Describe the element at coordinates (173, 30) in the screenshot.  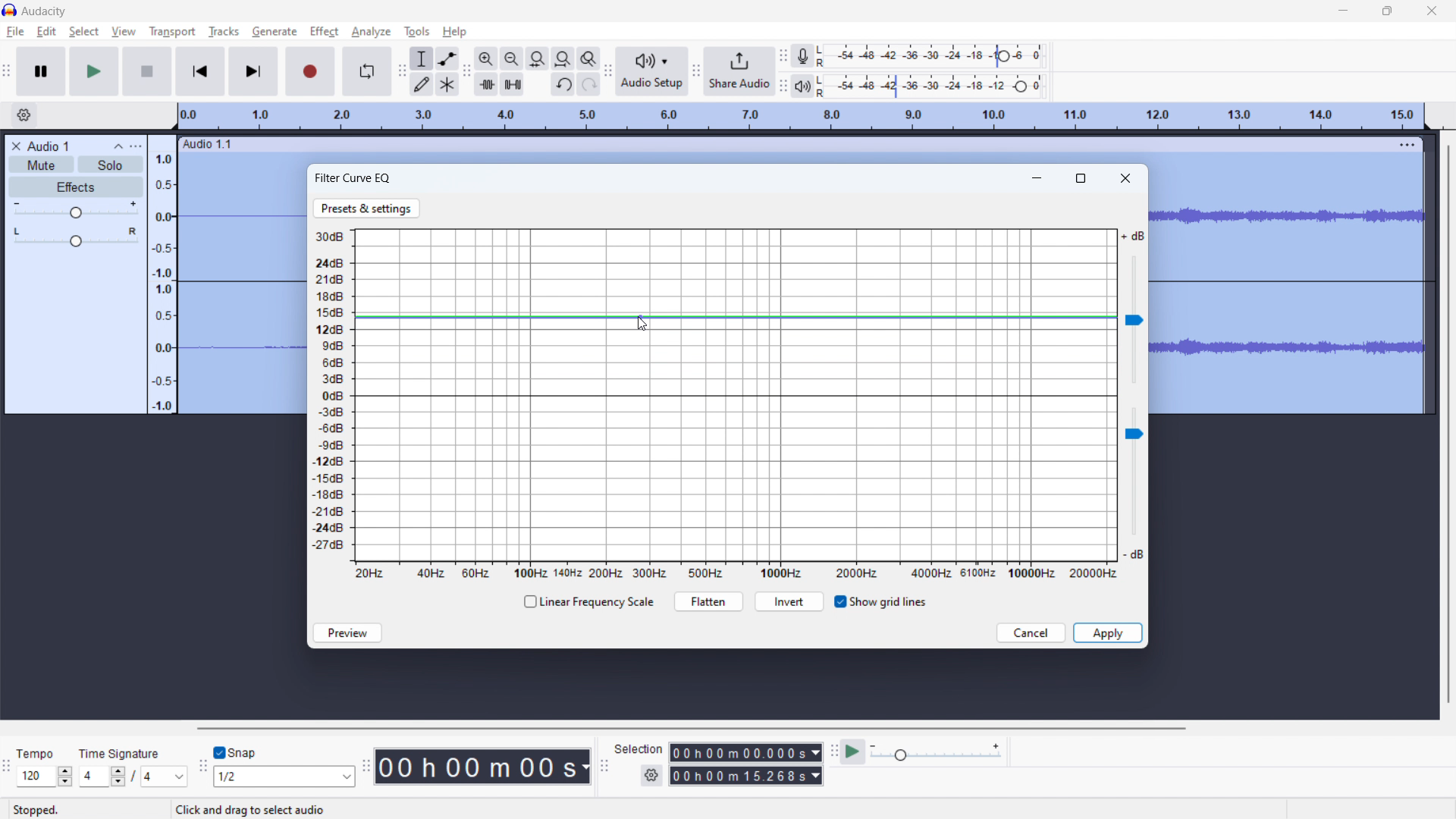
I see `transport` at that location.